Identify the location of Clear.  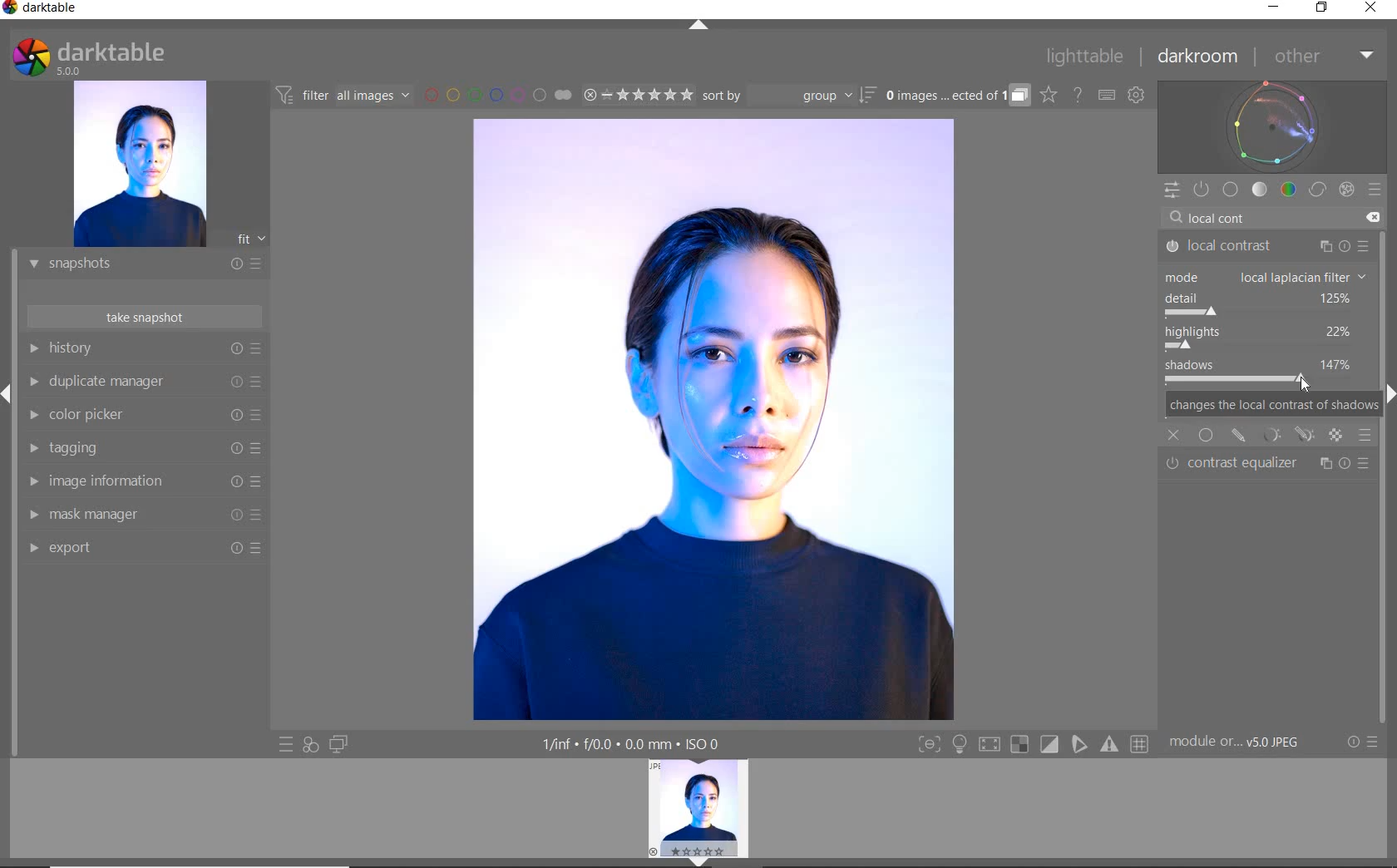
(1372, 218).